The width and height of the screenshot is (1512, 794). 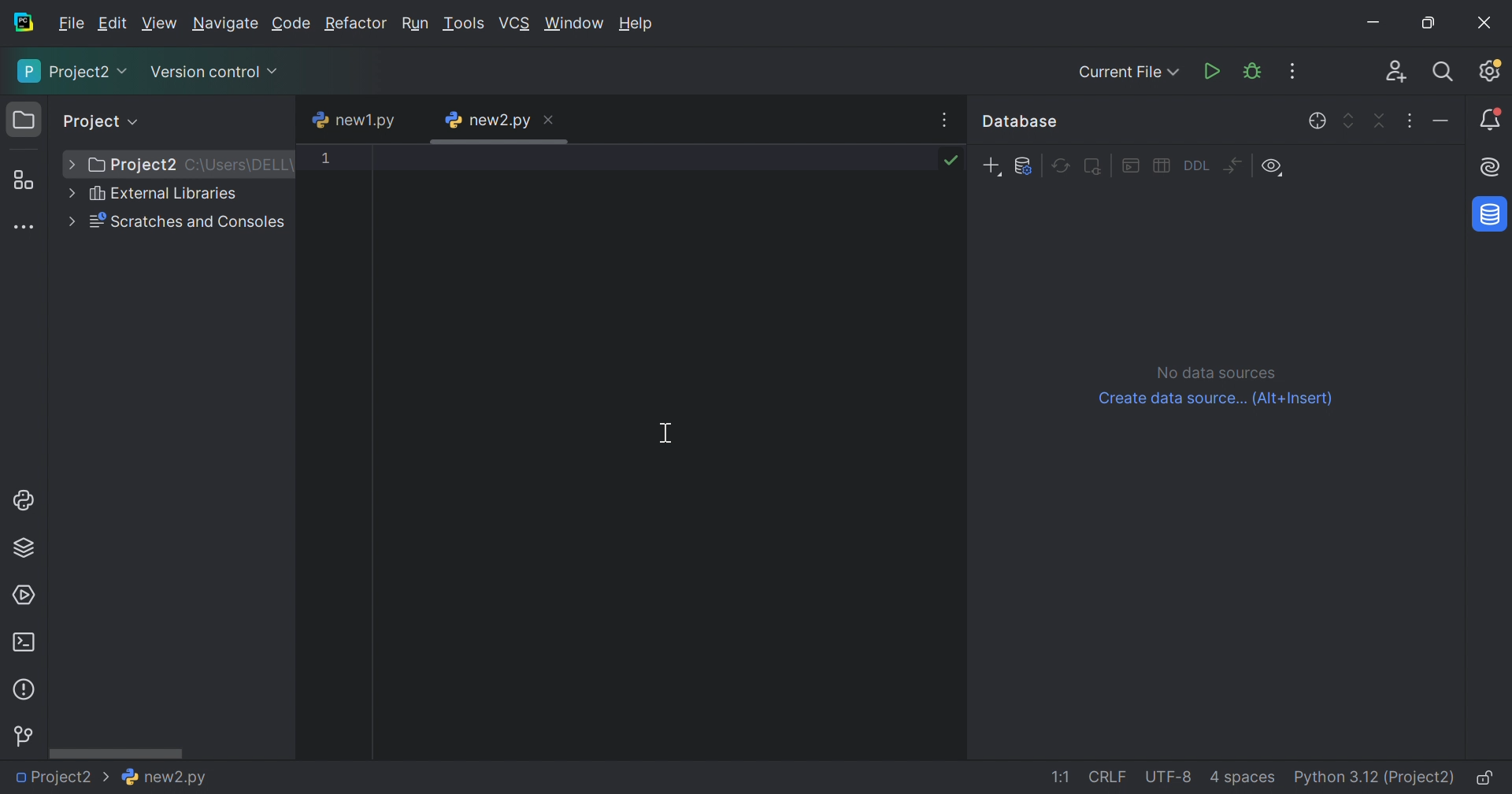 I want to click on More tool windows, so click(x=24, y=227).